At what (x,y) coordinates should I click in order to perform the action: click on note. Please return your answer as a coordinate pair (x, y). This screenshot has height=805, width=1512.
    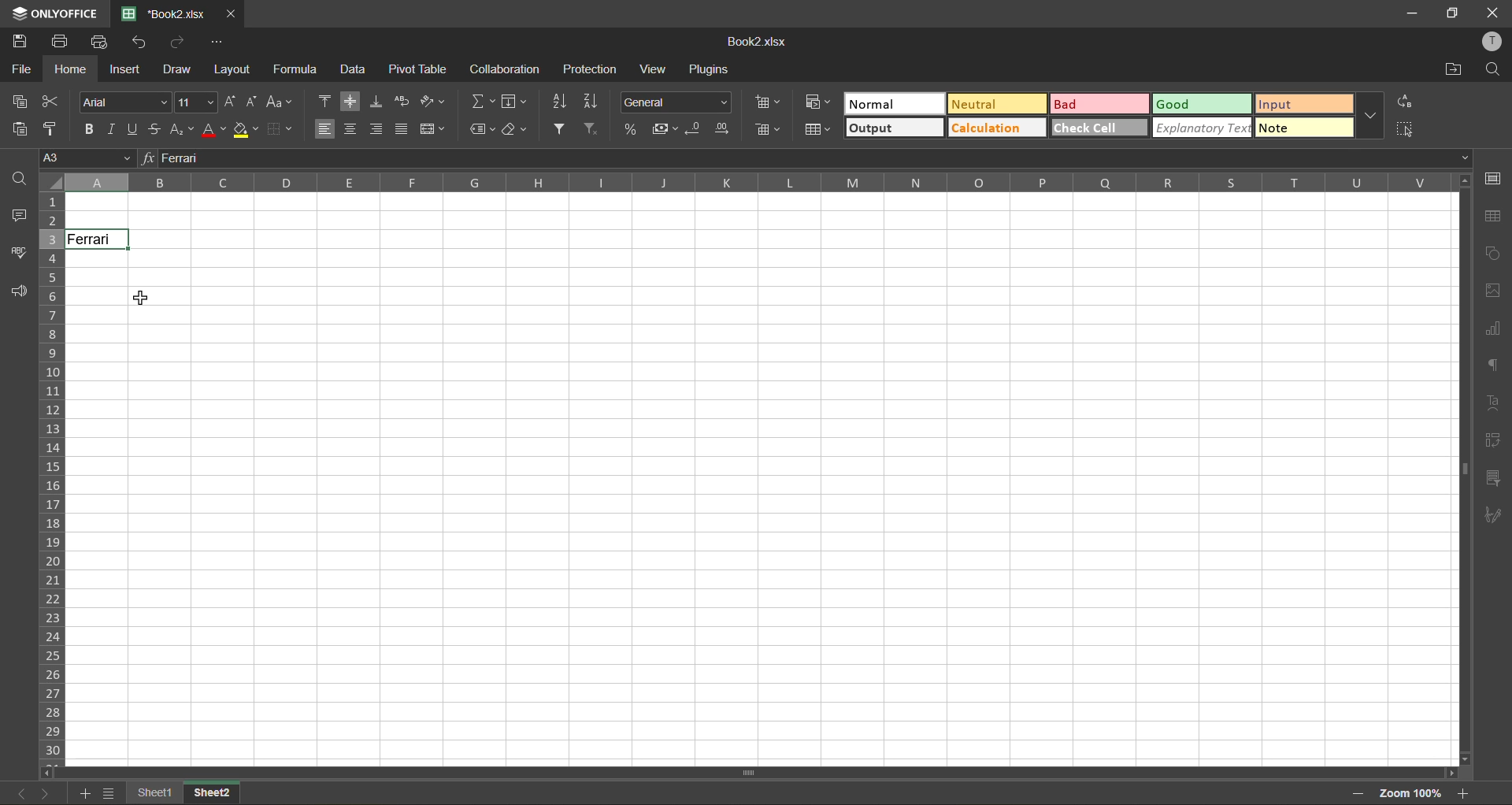
    Looking at the image, I should click on (1304, 127).